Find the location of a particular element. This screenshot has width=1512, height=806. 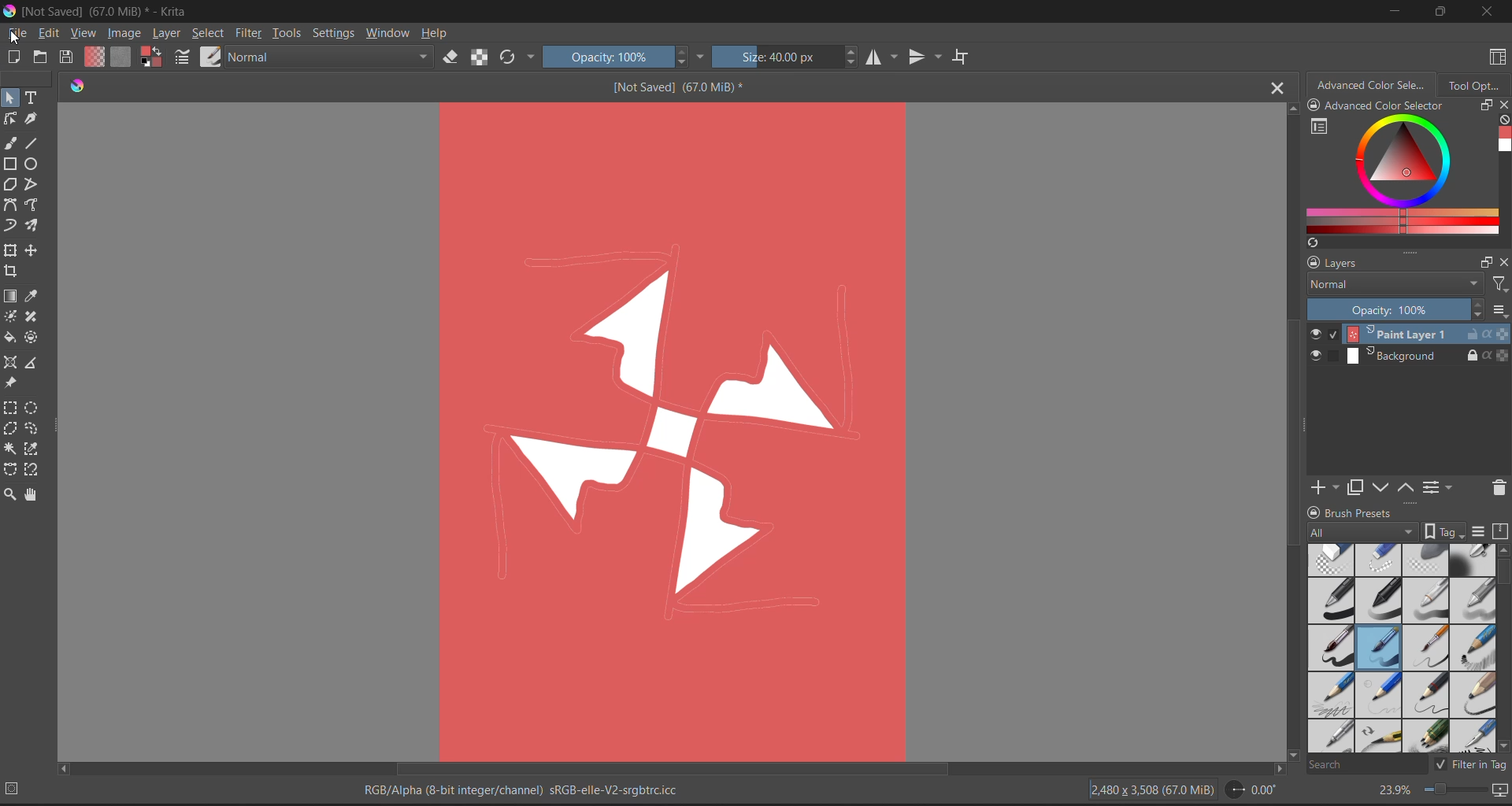

background color selector is located at coordinates (152, 55).